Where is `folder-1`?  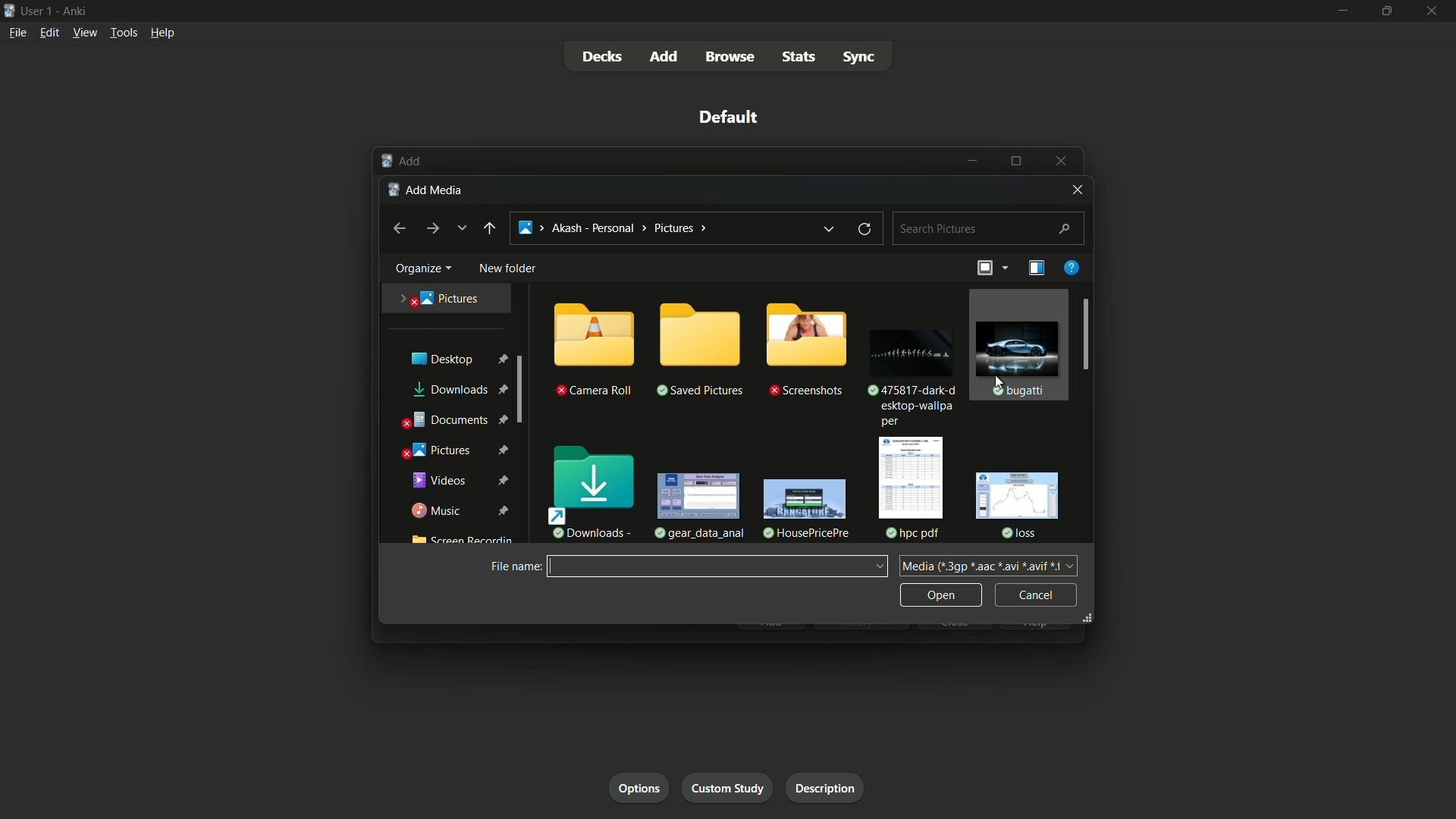 folder-1 is located at coordinates (593, 349).